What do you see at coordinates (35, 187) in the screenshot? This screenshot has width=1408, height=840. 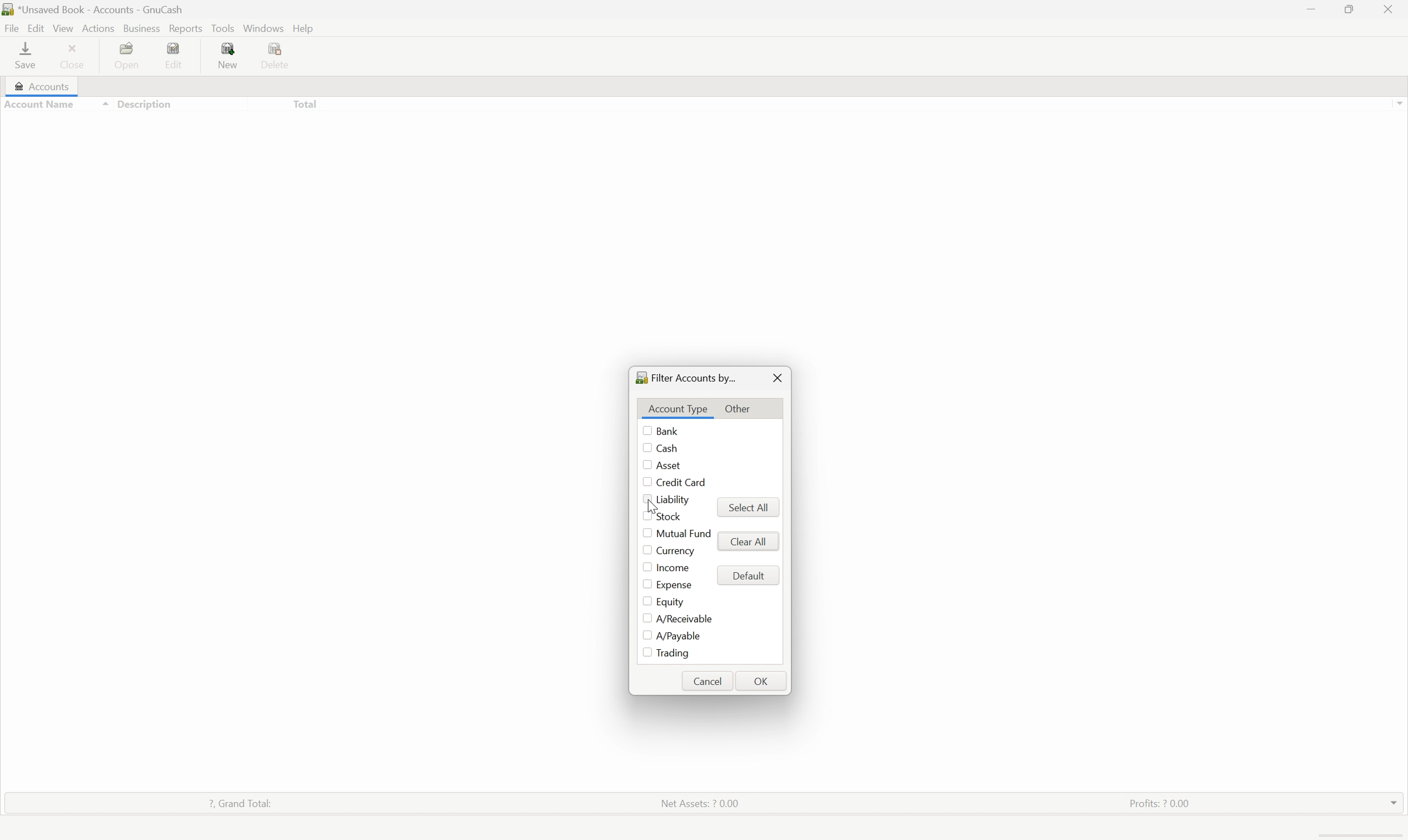 I see `Liabilities` at bounding box center [35, 187].